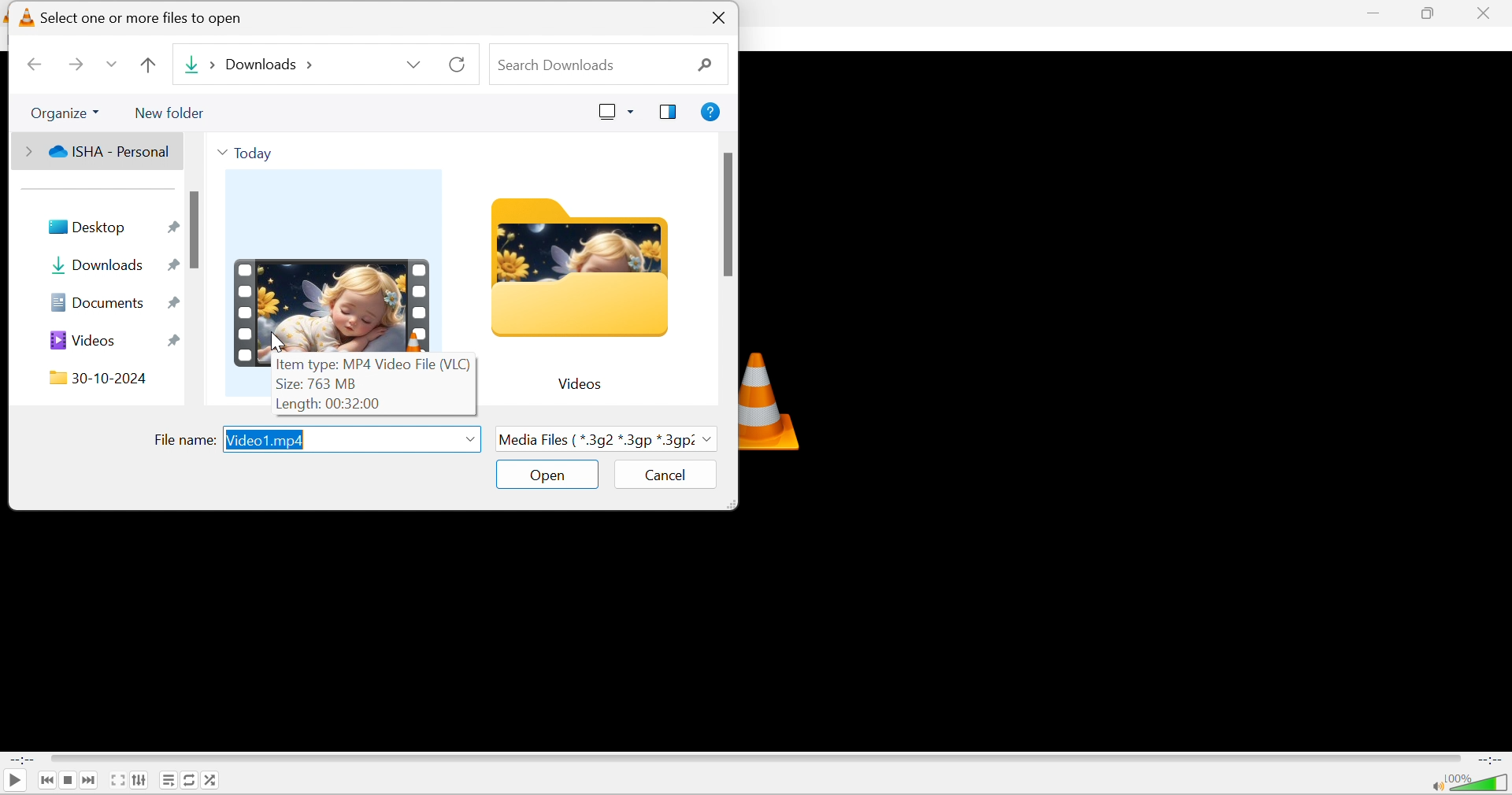 The image size is (1512, 795). Describe the element at coordinates (83, 342) in the screenshot. I see `Videos` at that location.